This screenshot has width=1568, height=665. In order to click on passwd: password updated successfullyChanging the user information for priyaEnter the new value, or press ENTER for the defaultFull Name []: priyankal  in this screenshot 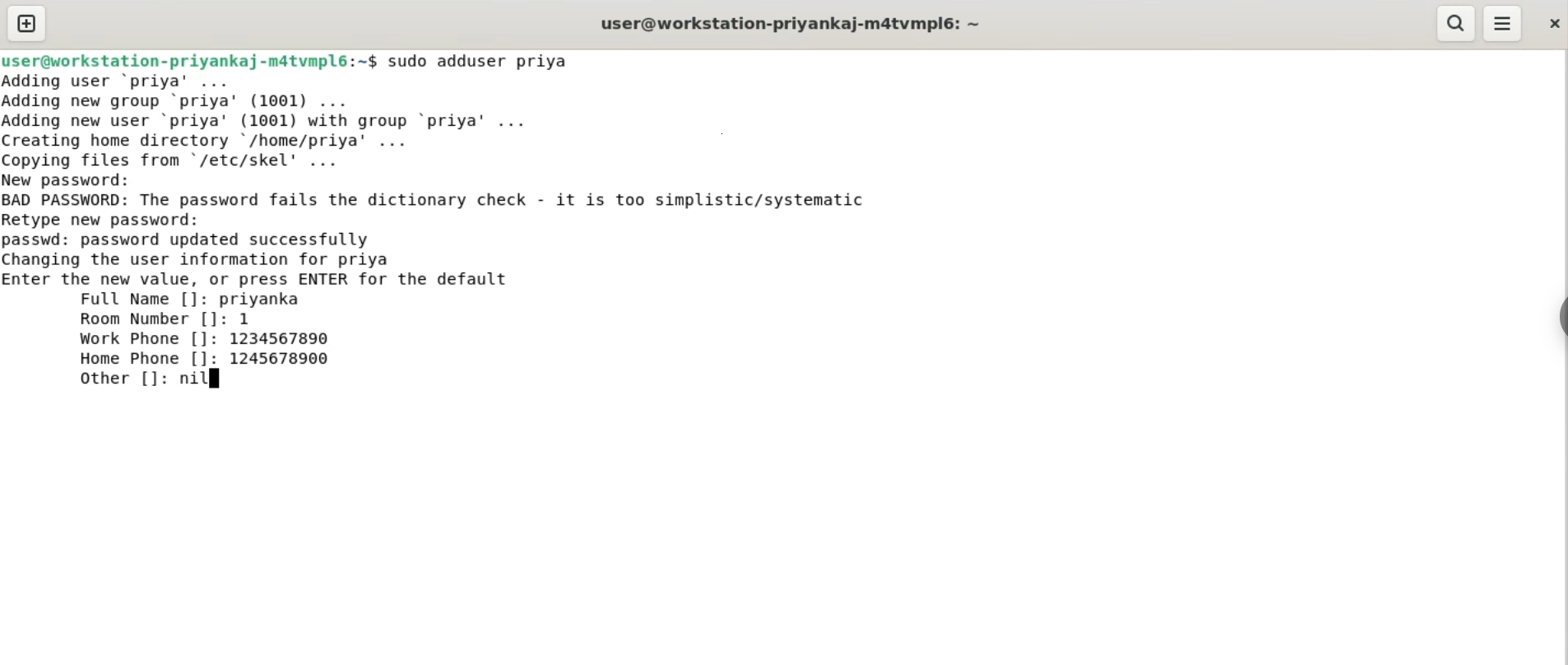, I will do `click(258, 270)`.